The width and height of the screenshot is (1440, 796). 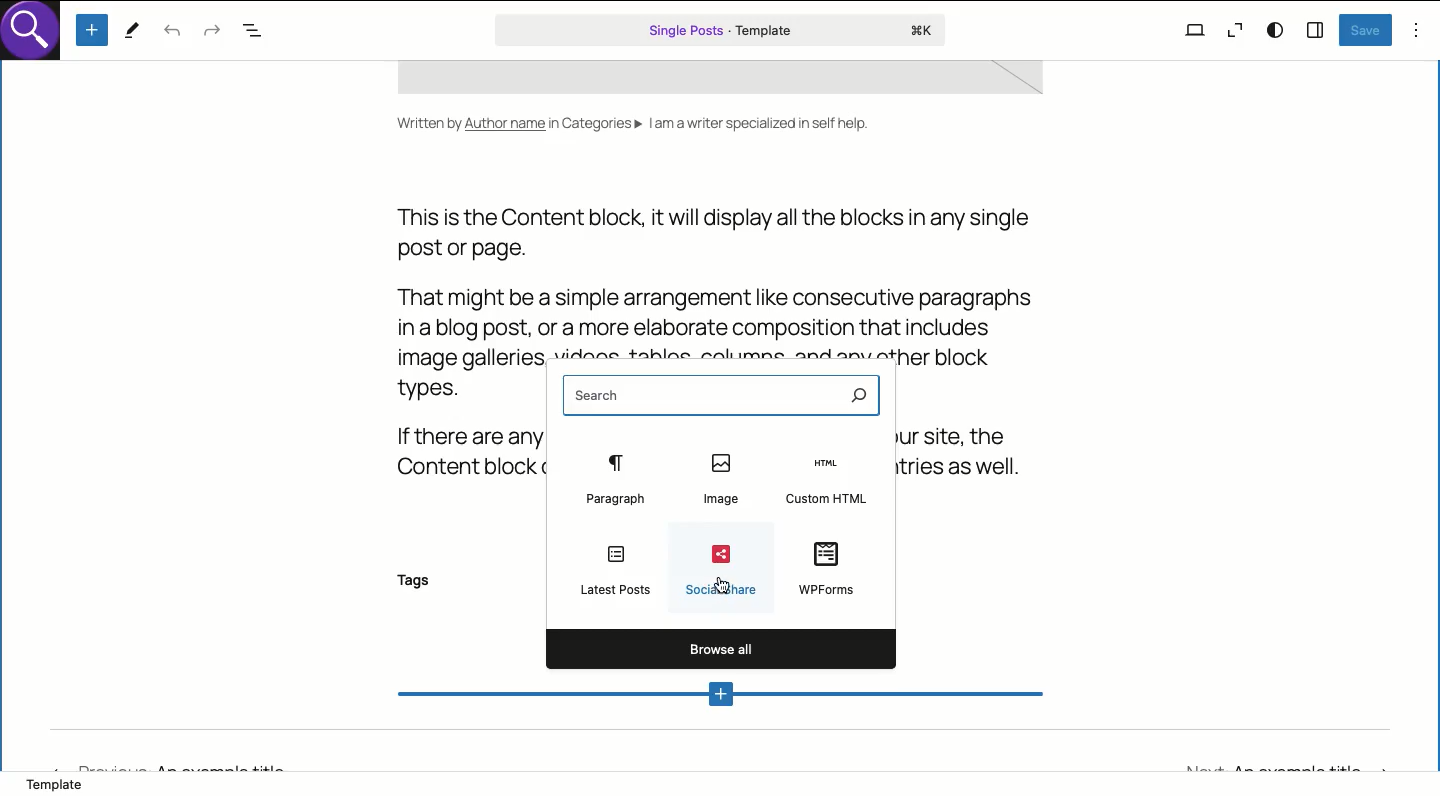 What do you see at coordinates (132, 32) in the screenshot?
I see `Tools` at bounding box center [132, 32].